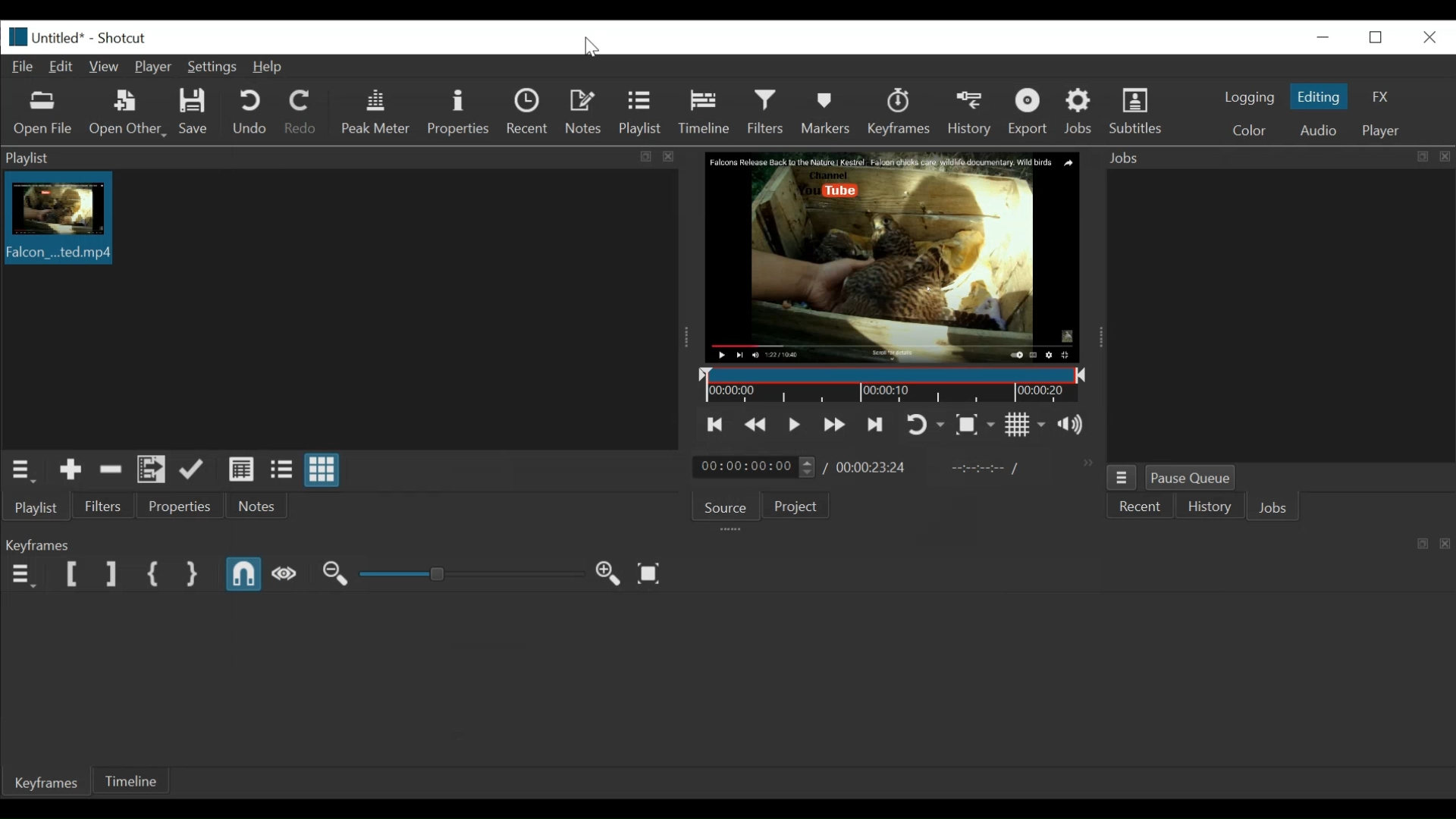 This screenshot has height=819, width=1456. I want to click on Recent, so click(1140, 507).